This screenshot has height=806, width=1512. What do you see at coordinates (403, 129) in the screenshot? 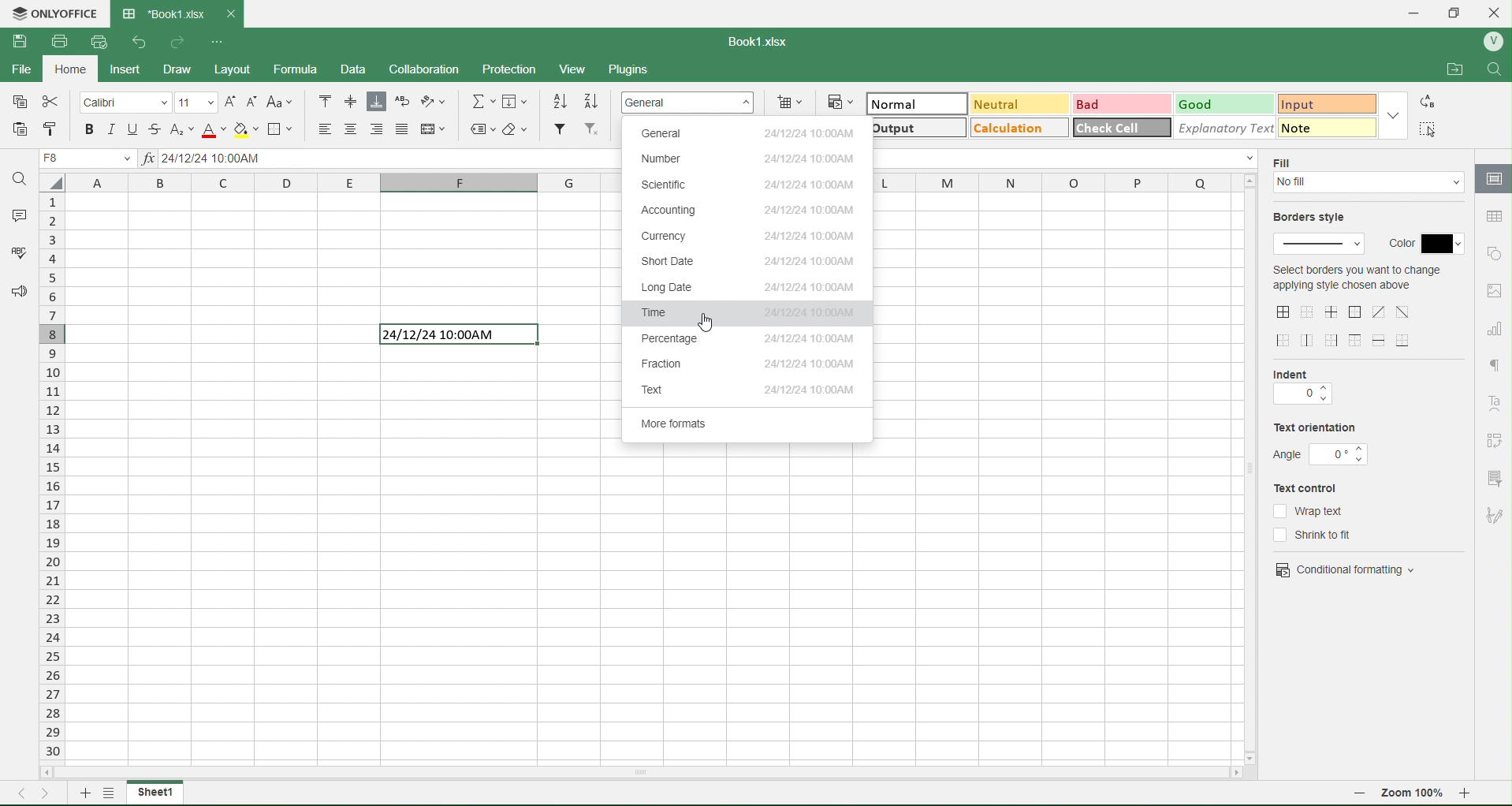
I see `Justified` at bounding box center [403, 129].